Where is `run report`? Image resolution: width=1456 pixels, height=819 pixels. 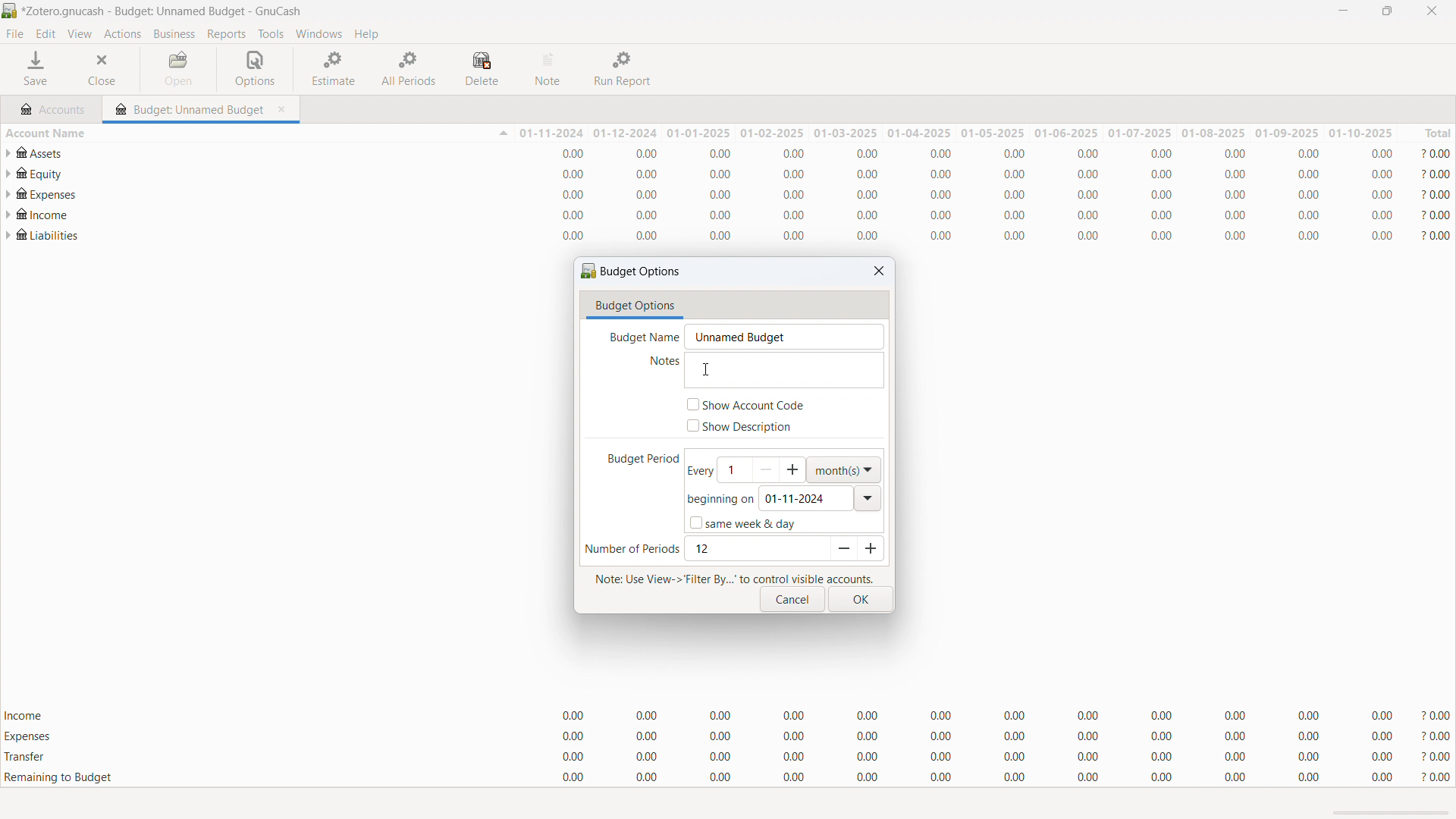 run report is located at coordinates (624, 69).